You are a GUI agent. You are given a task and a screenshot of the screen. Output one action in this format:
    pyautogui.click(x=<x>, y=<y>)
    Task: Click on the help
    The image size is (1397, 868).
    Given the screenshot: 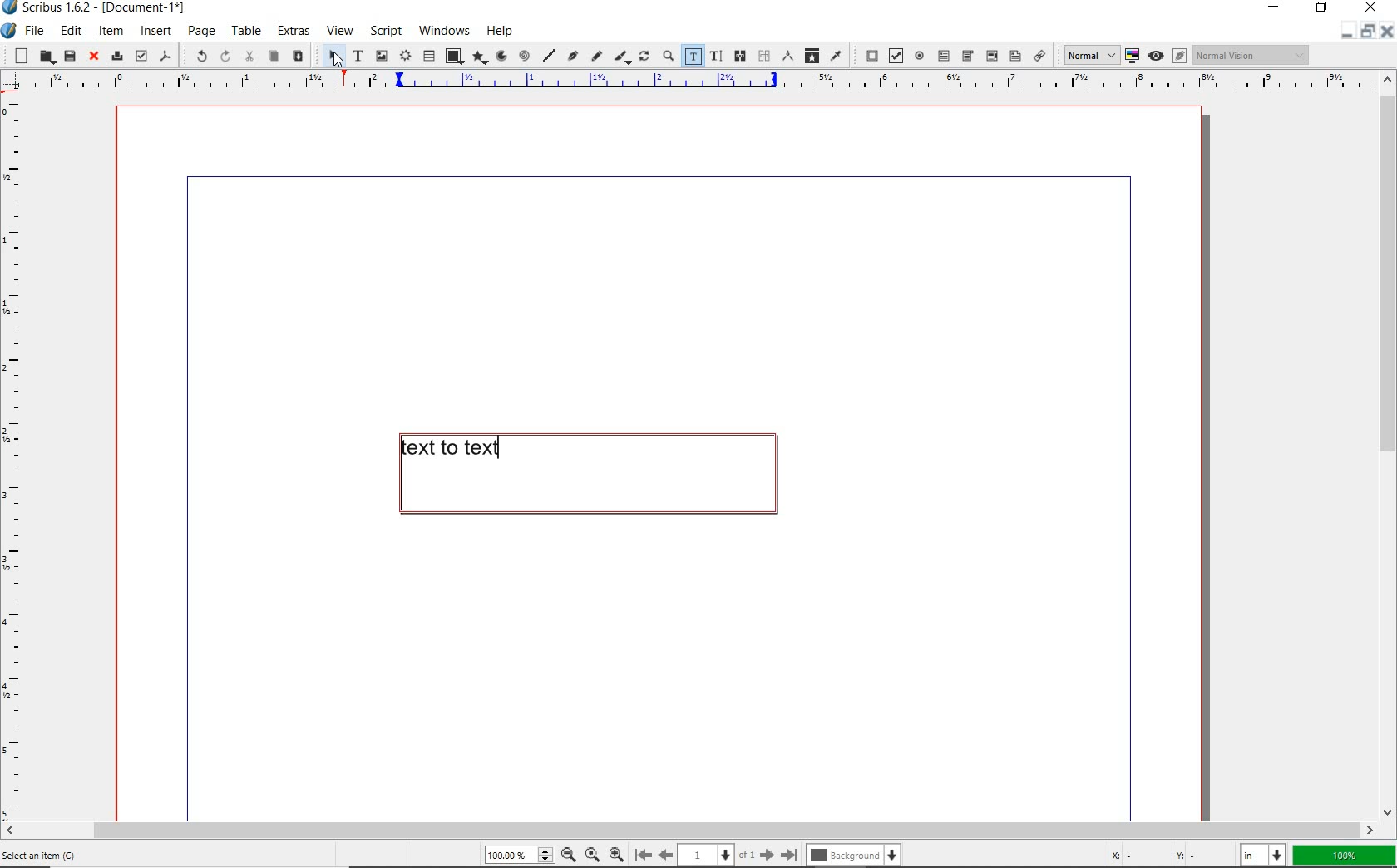 What is the action you would take?
    pyautogui.click(x=503, y=31)
    